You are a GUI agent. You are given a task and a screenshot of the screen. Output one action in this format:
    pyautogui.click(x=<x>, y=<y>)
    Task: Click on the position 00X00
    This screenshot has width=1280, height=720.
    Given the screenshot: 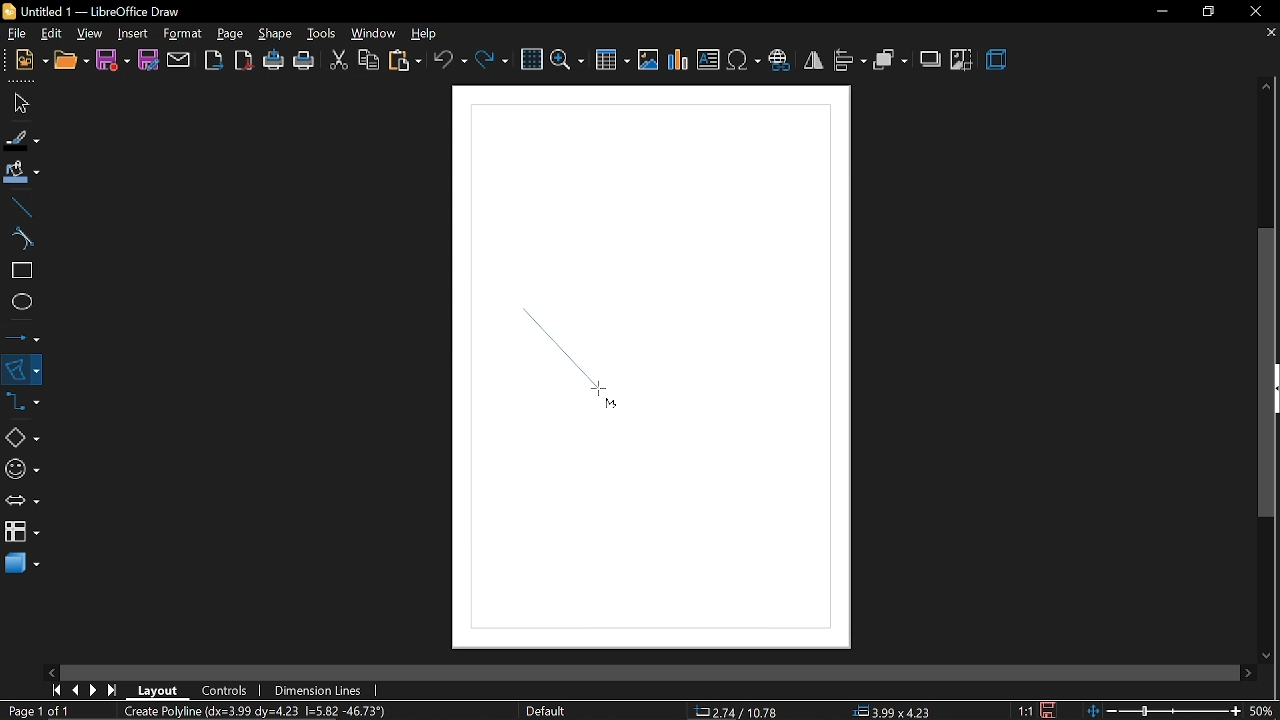 What is the action you would take?
    pyautogui.click(x=892, y=708)
    